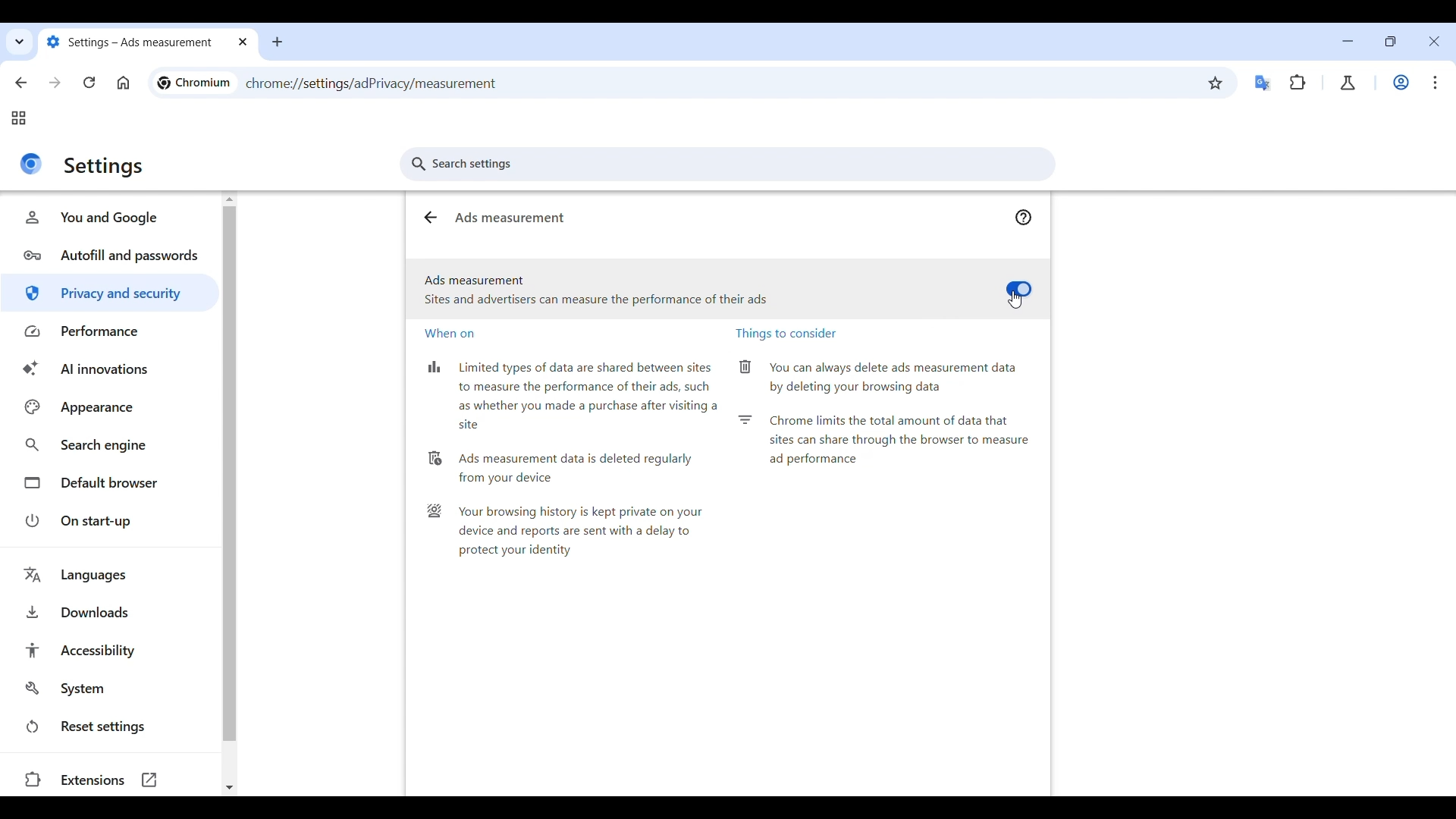  Describe the element at coordinates (108, 407) in the screenshot. I see `Appearance` at that location.